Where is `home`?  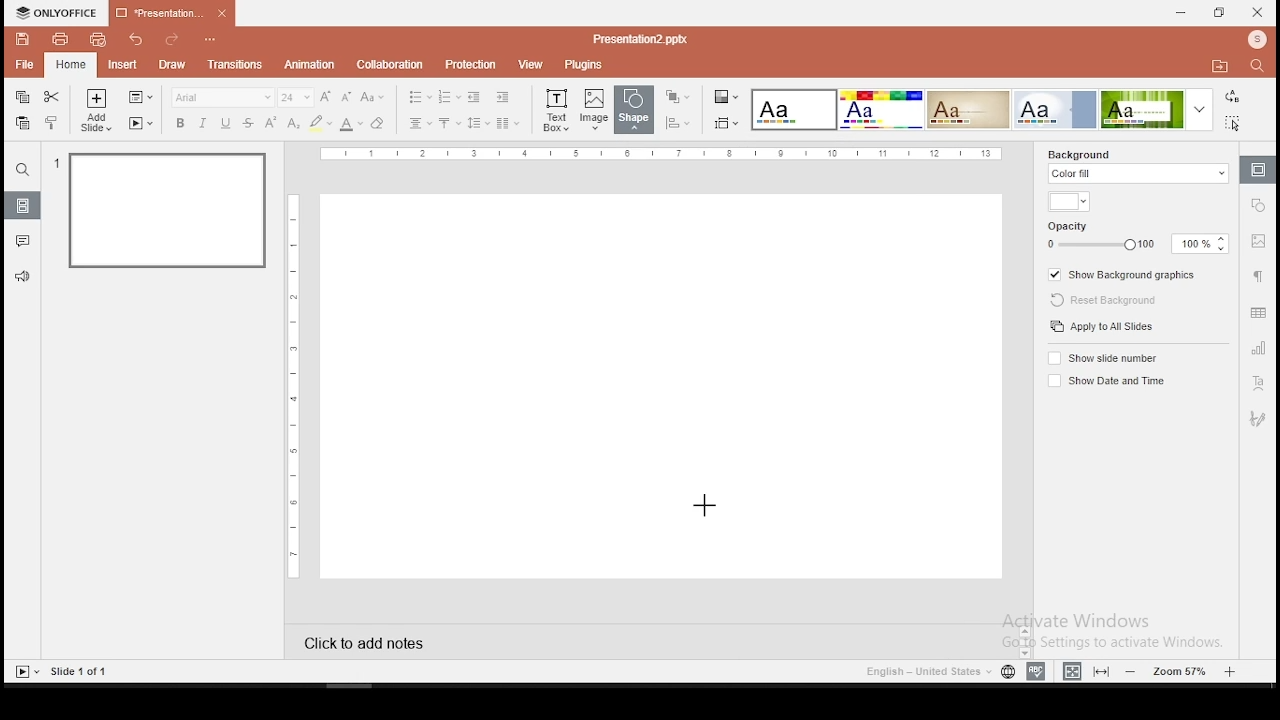 home is located at coordinates (71, 66).